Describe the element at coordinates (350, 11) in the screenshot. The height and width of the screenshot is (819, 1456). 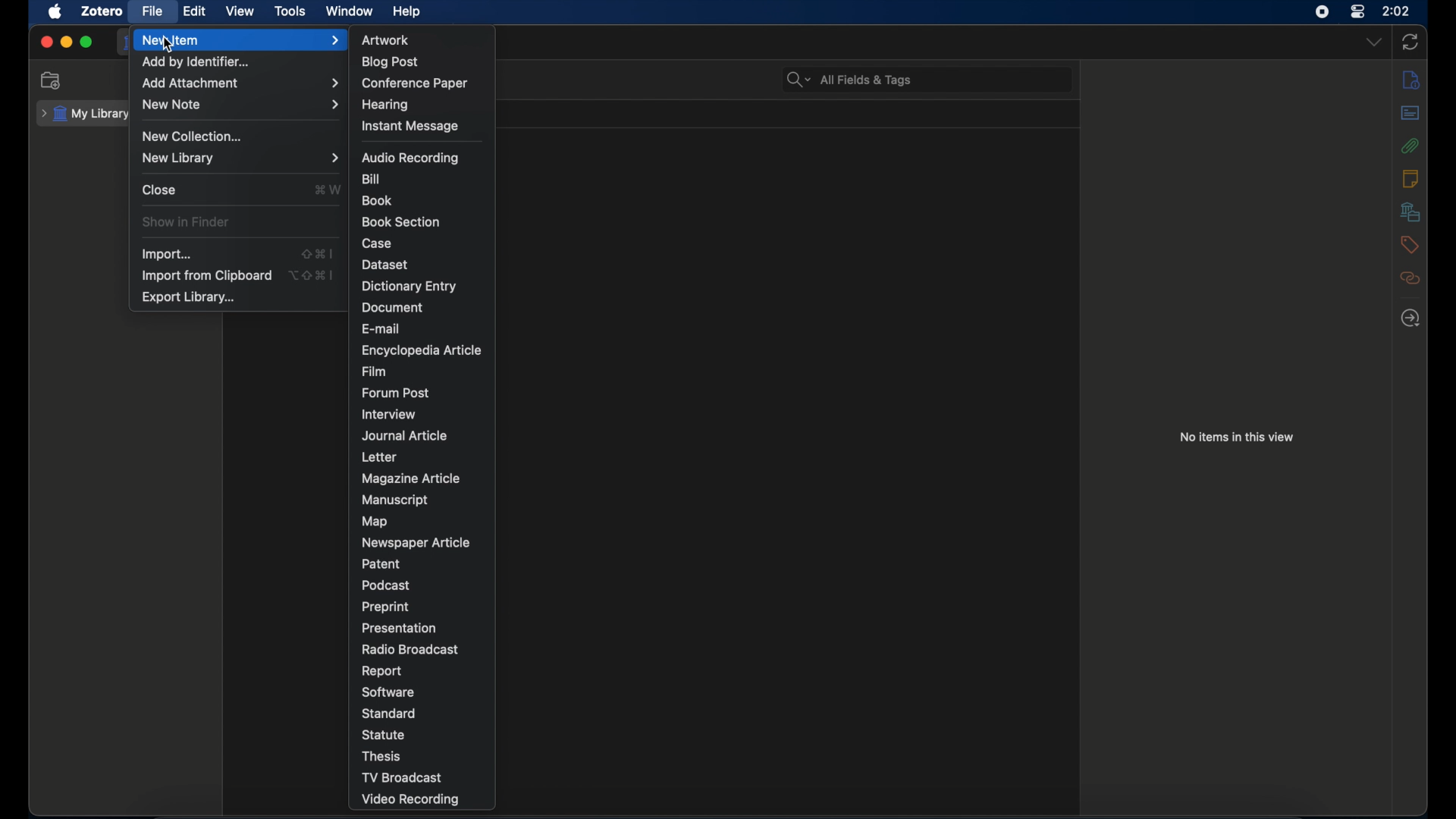
I see `window` at that location.